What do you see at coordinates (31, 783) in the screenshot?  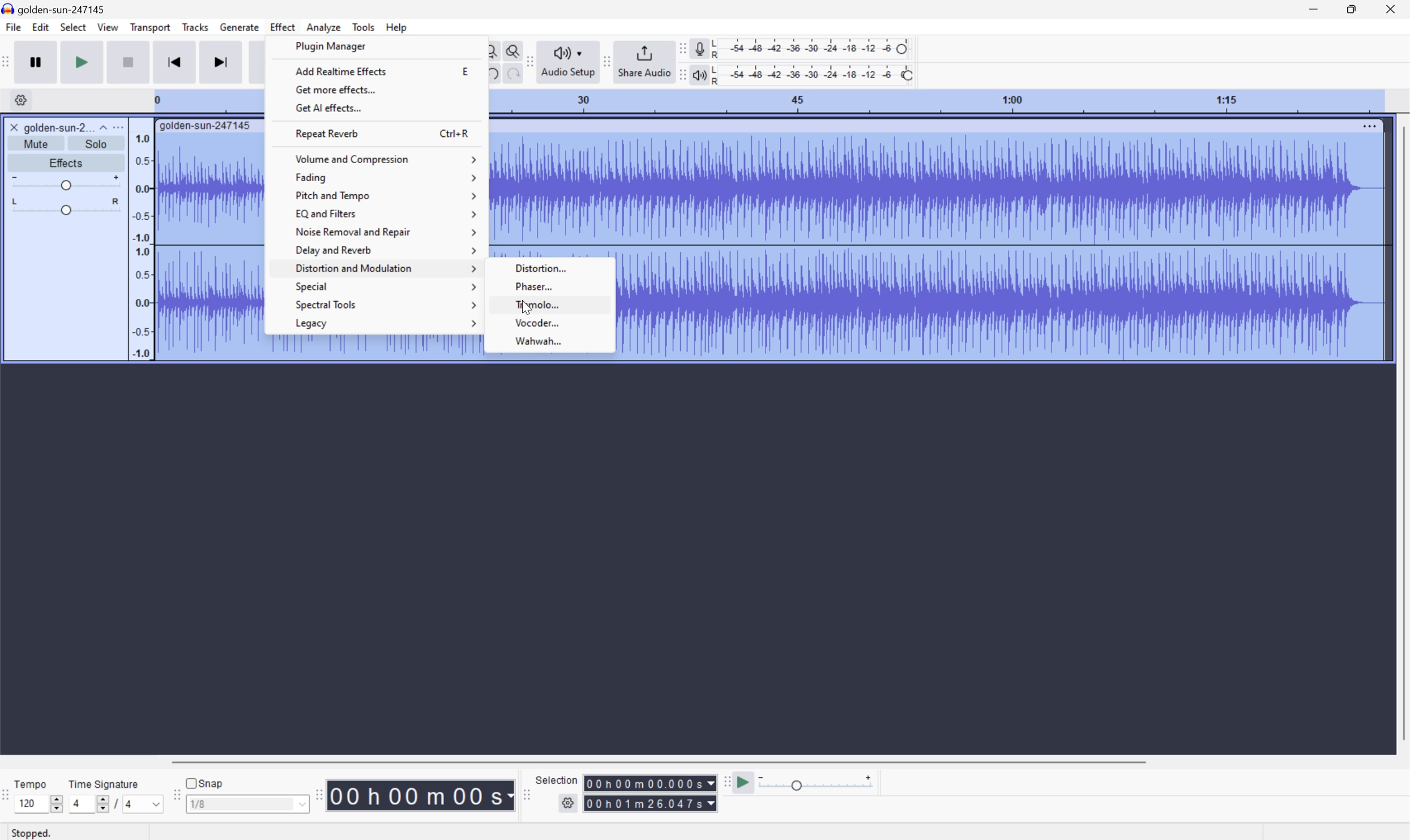 I see `Tempo` at bounding box center [31, 783].